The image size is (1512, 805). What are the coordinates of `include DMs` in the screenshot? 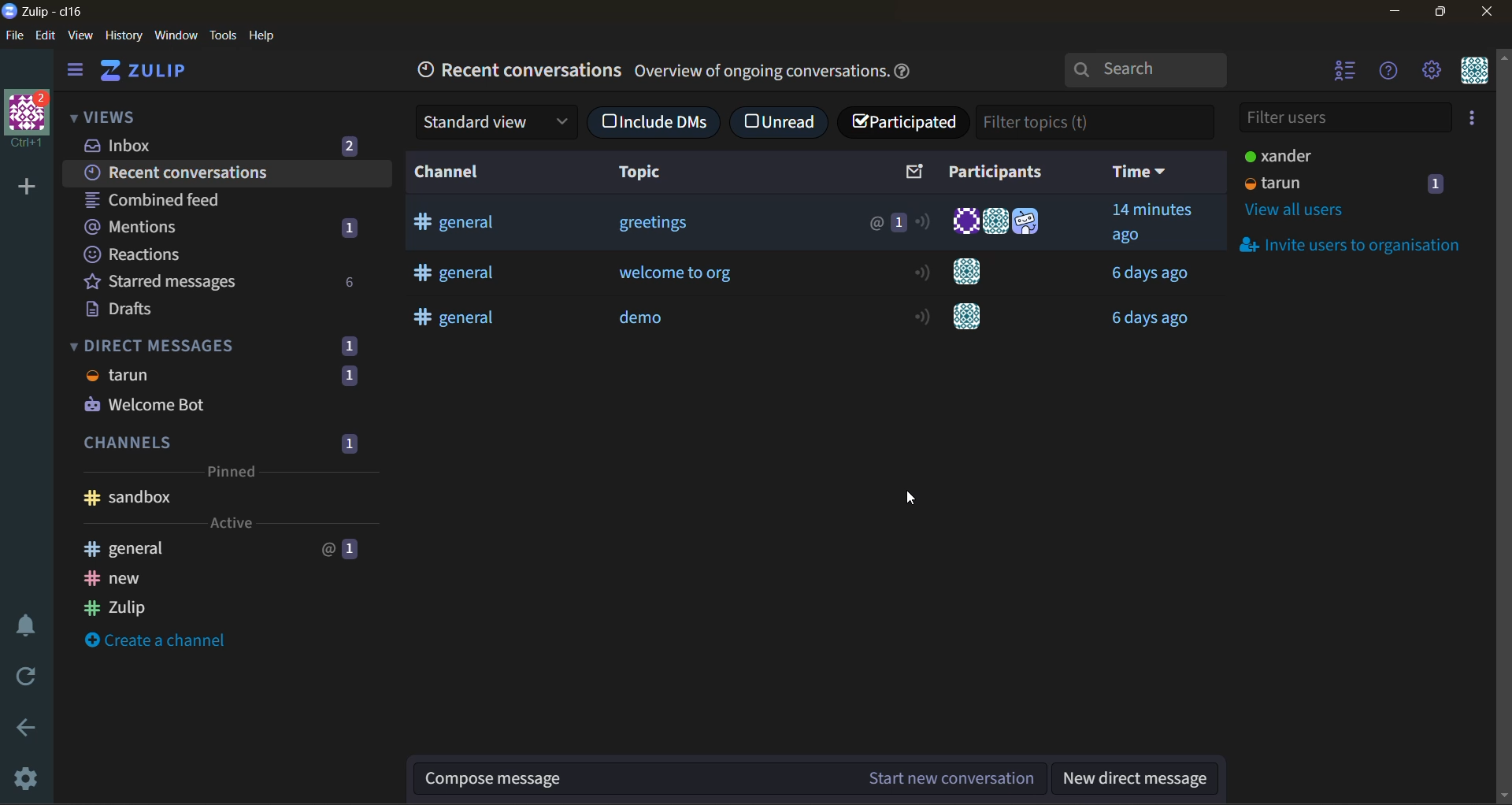 It's located at (656, 120).